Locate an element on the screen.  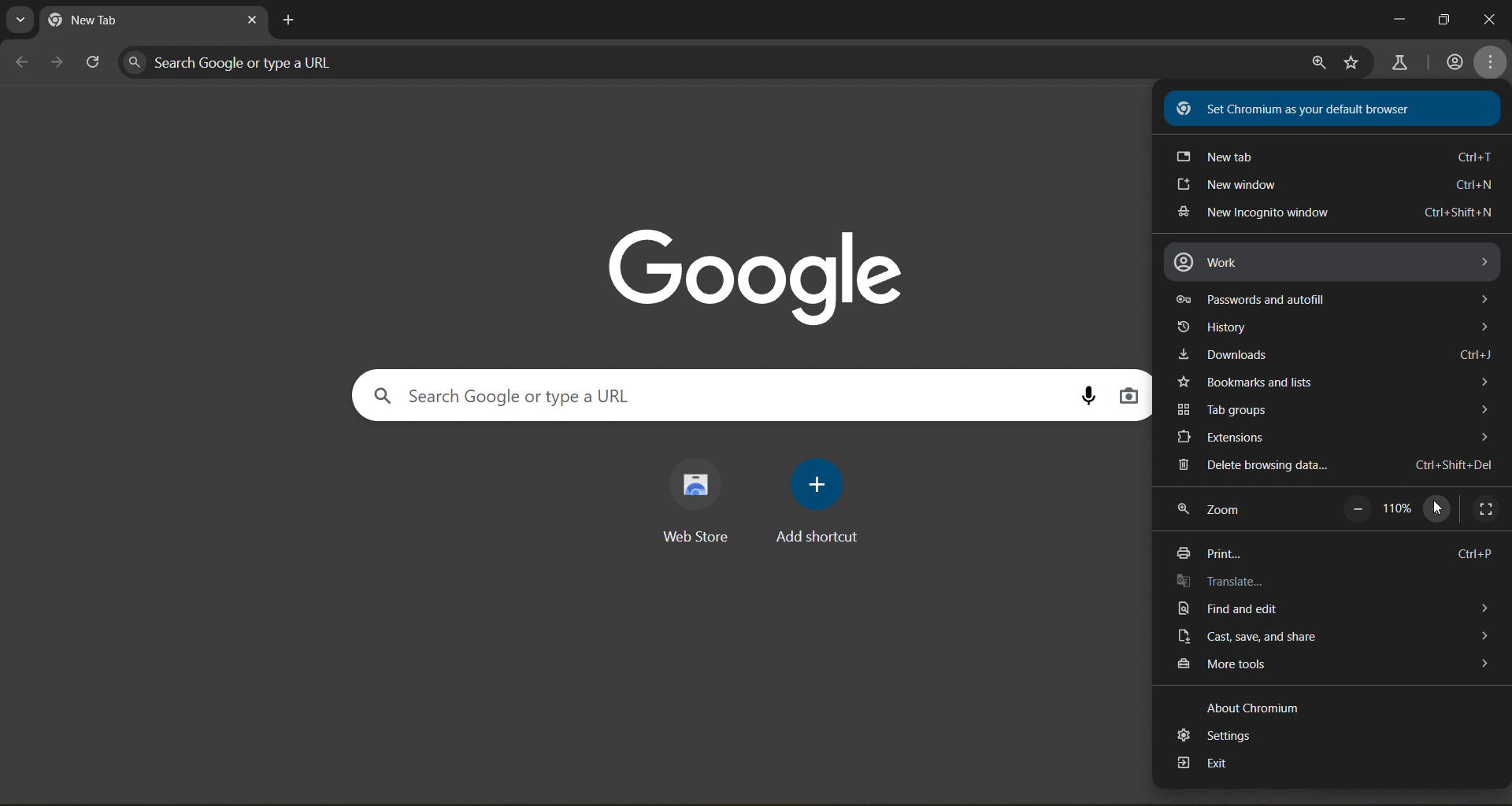
bookmarks and lists is located at coordinates (1333, 380).